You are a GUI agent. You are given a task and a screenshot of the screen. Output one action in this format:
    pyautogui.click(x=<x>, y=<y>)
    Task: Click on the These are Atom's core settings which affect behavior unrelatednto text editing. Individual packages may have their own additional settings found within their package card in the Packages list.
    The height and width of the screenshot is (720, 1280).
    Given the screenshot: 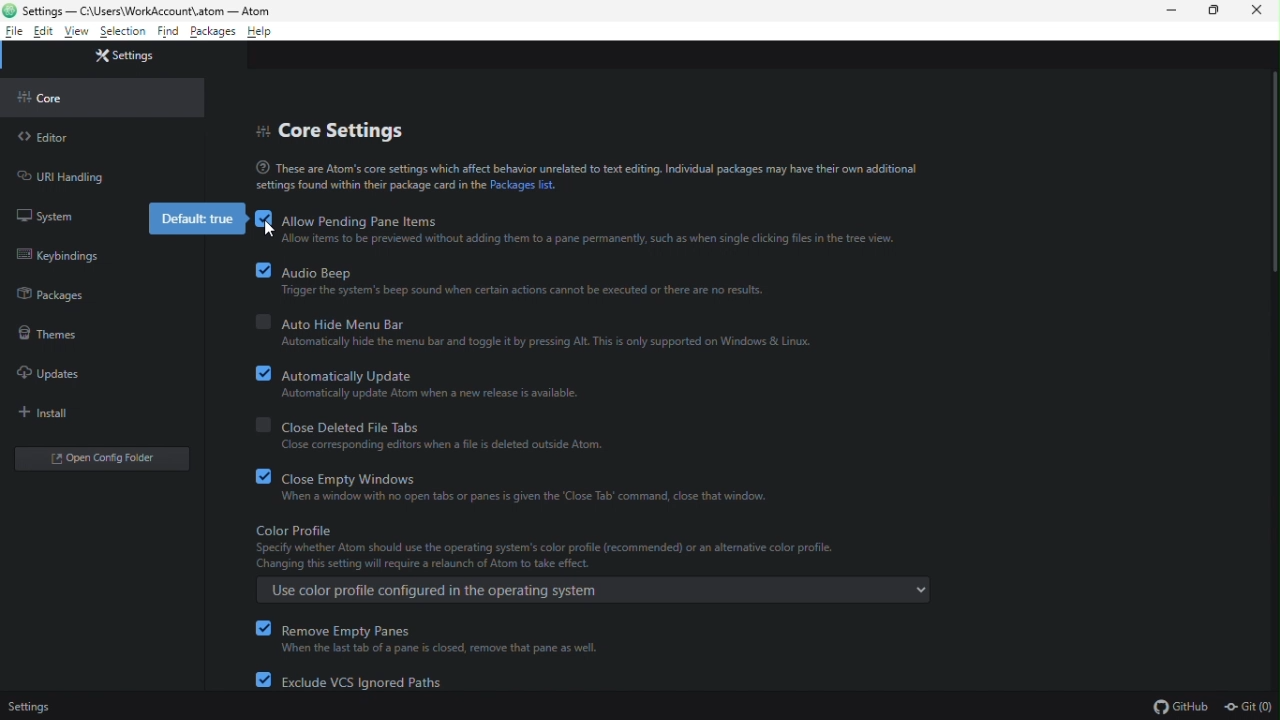 What is the action you would take?
    pyautogui.click(x=589, y=176)
    